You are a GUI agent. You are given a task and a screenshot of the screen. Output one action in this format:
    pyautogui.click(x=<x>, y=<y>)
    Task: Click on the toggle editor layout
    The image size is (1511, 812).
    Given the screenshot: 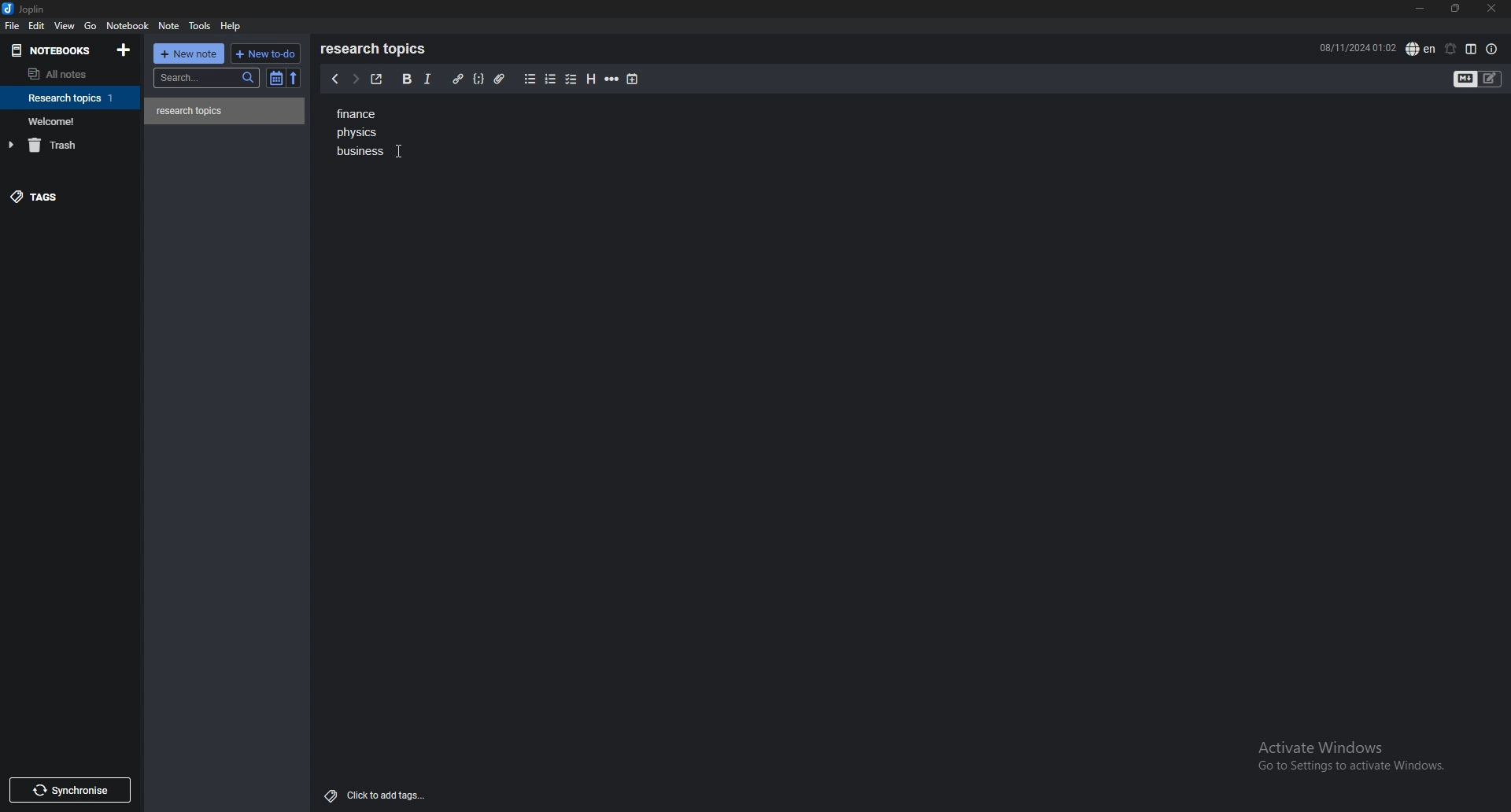 What is the action you would take?
    pyautogui.click(x=1471, y=49)
    